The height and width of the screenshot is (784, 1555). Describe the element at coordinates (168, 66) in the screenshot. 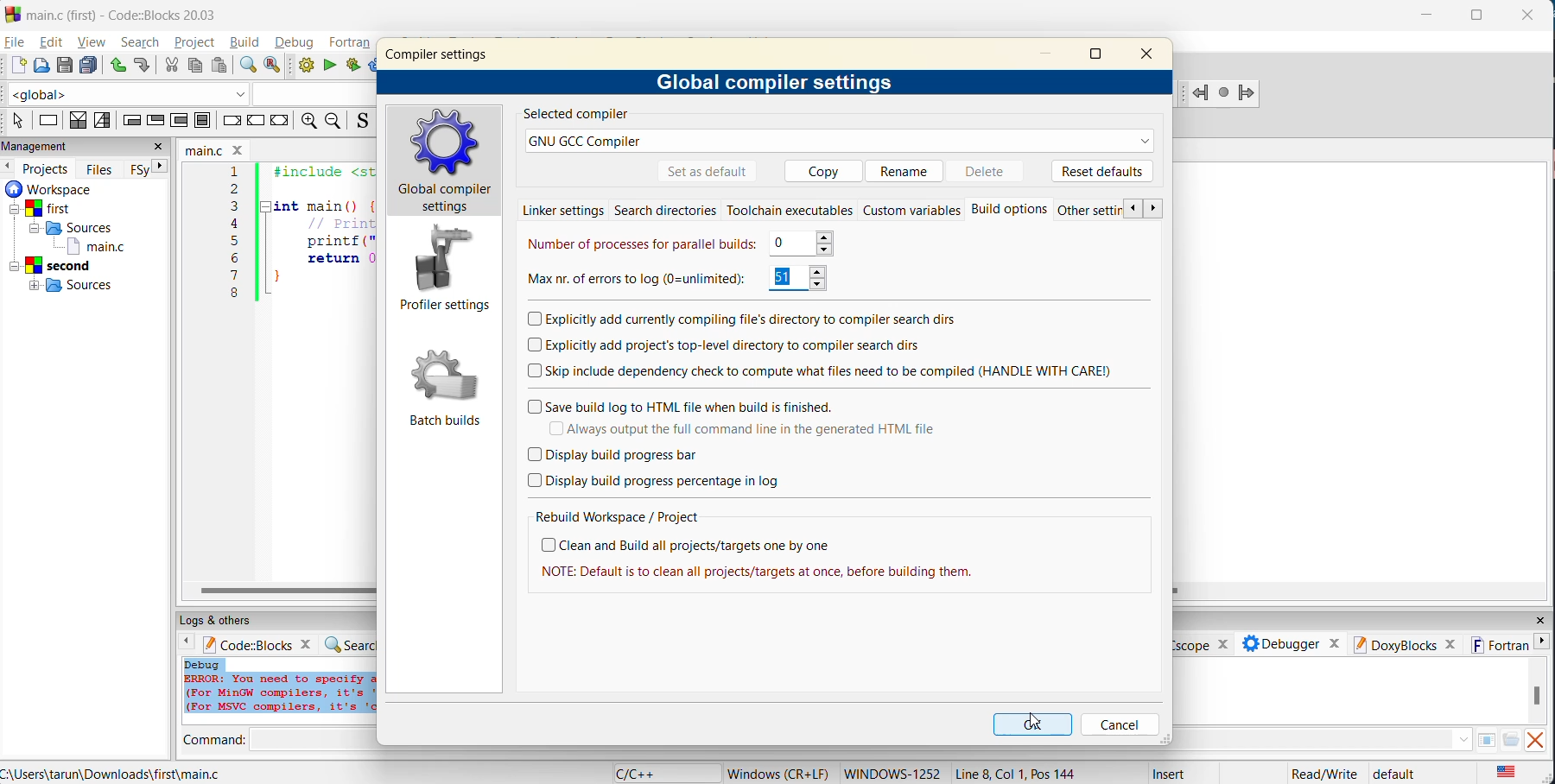

I see `cut` at that location.